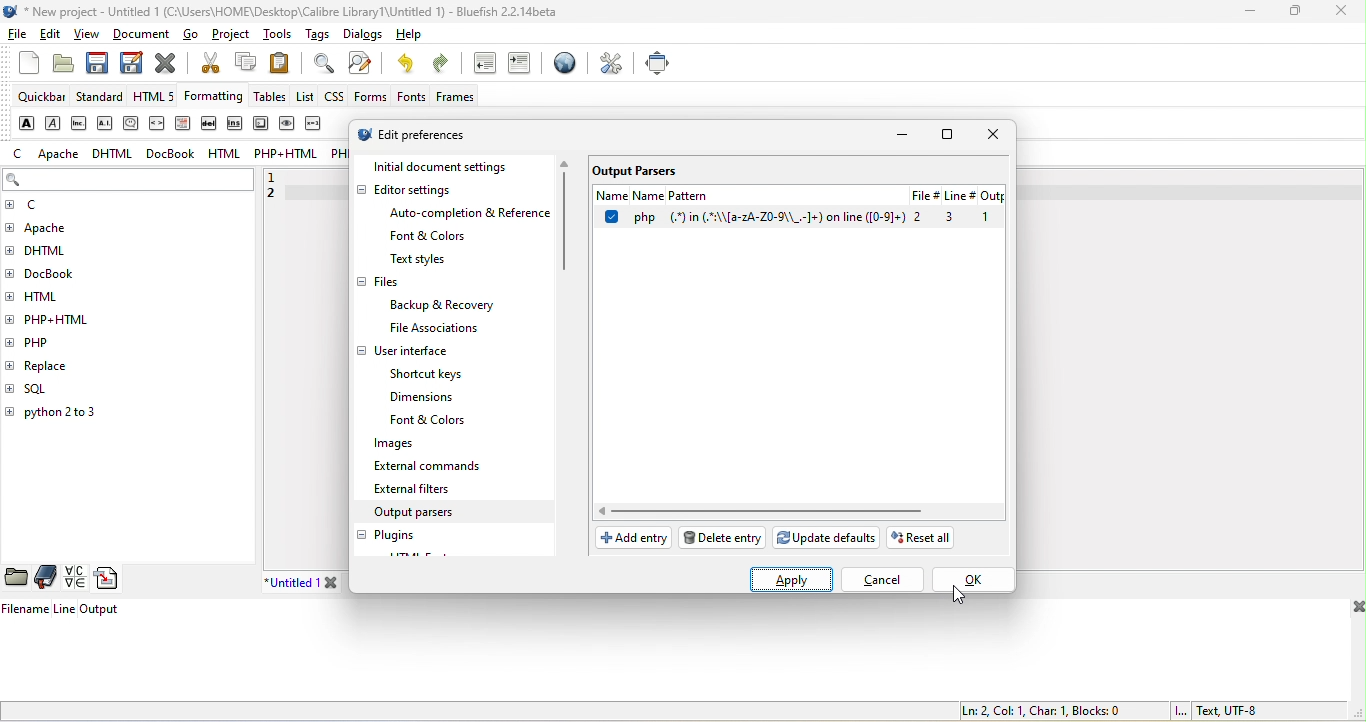 The height and width of the screenshot is (722, 1366). What do you see at coordinates (1355, 609) in the screenshot?
I see `close` at bounding box center [1355, 609].